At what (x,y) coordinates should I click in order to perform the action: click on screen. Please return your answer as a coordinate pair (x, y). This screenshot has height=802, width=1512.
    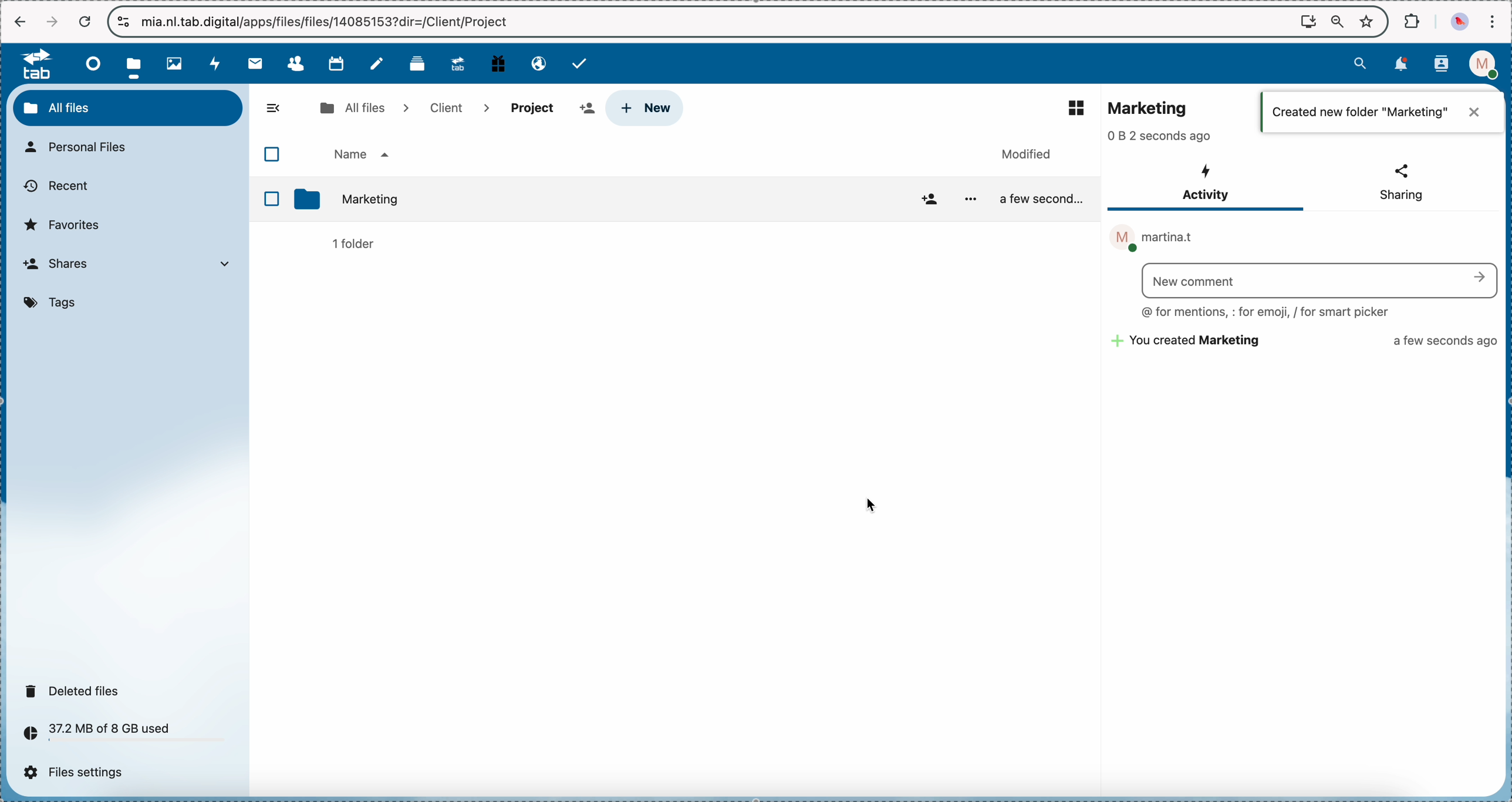
    Looking at the image, I should click on (1308, 21).